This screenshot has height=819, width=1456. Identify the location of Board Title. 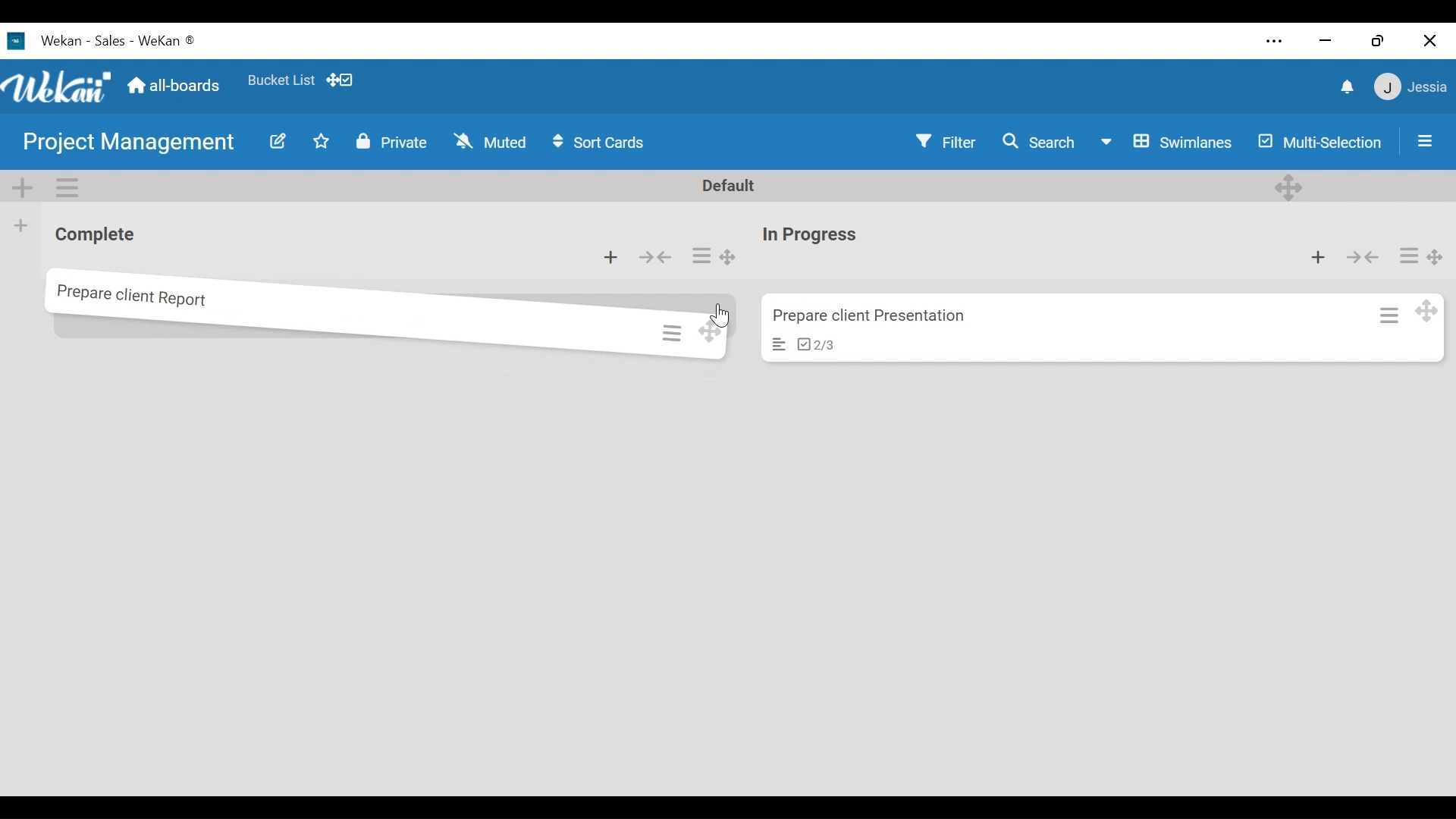
(128, 145).